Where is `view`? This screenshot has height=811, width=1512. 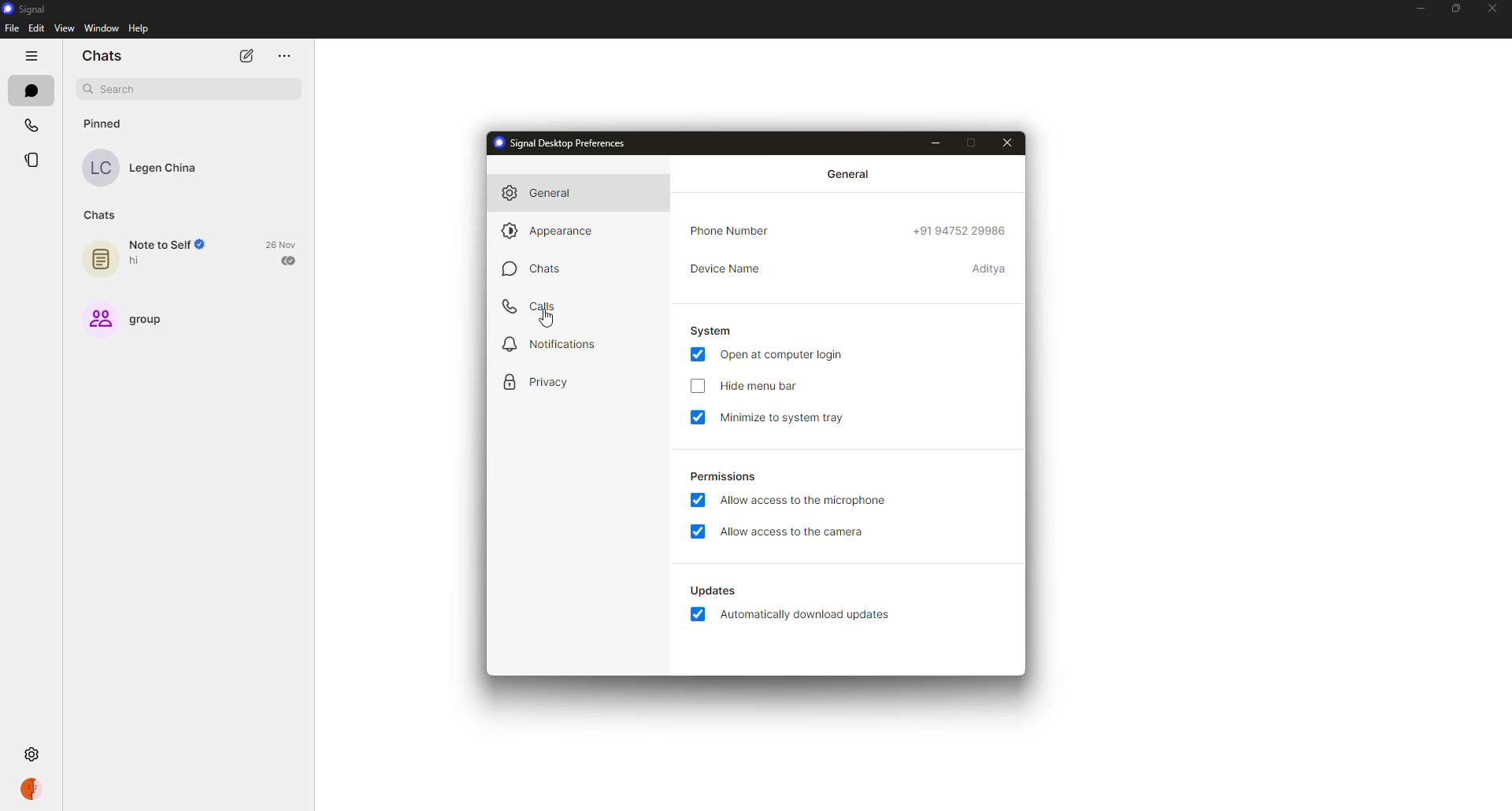 view is located at coordinates (65, 28).